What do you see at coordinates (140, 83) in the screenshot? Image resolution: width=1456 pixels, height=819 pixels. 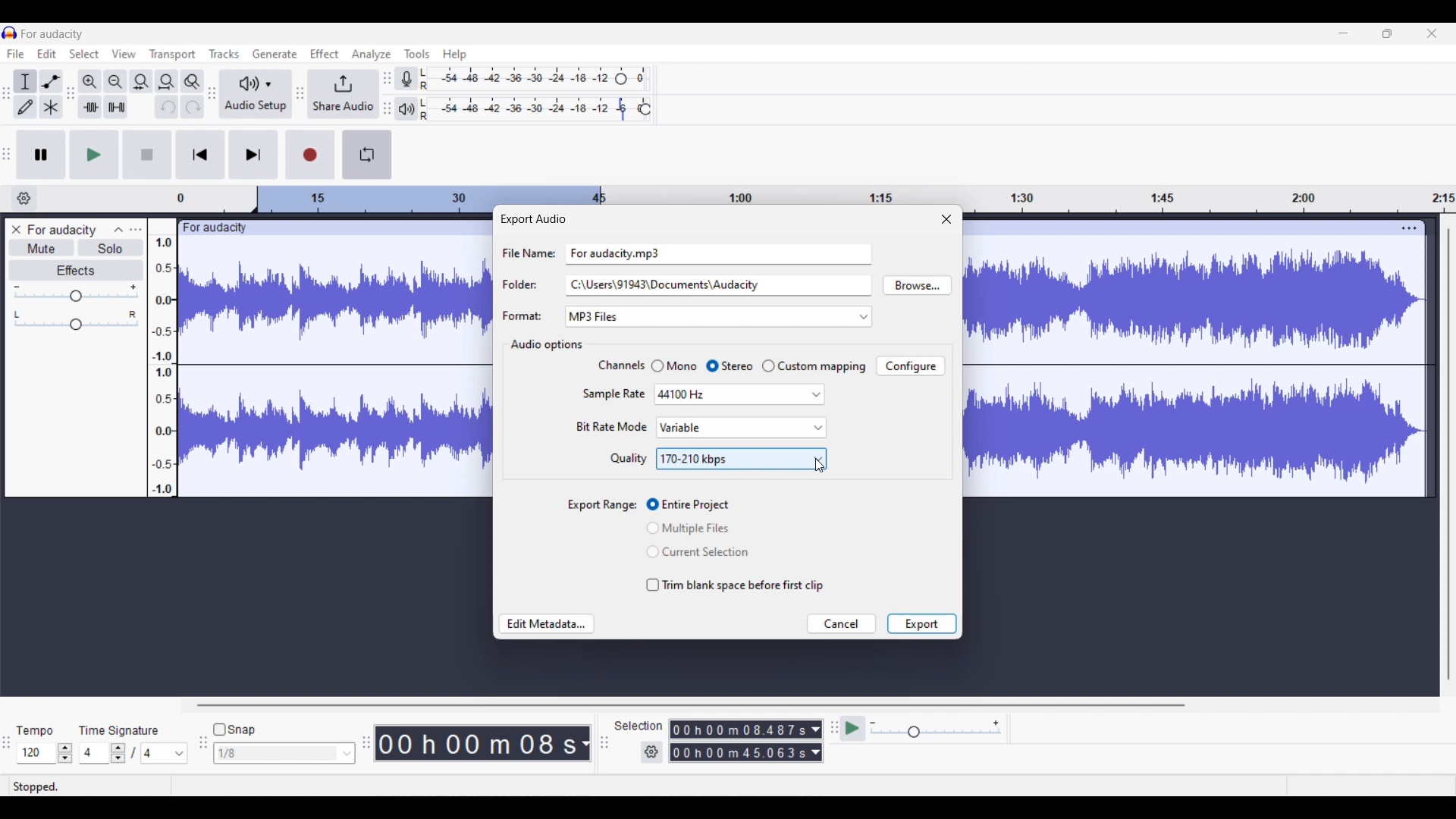 I see `Fit selection to width` at bounding box center [140, 83].